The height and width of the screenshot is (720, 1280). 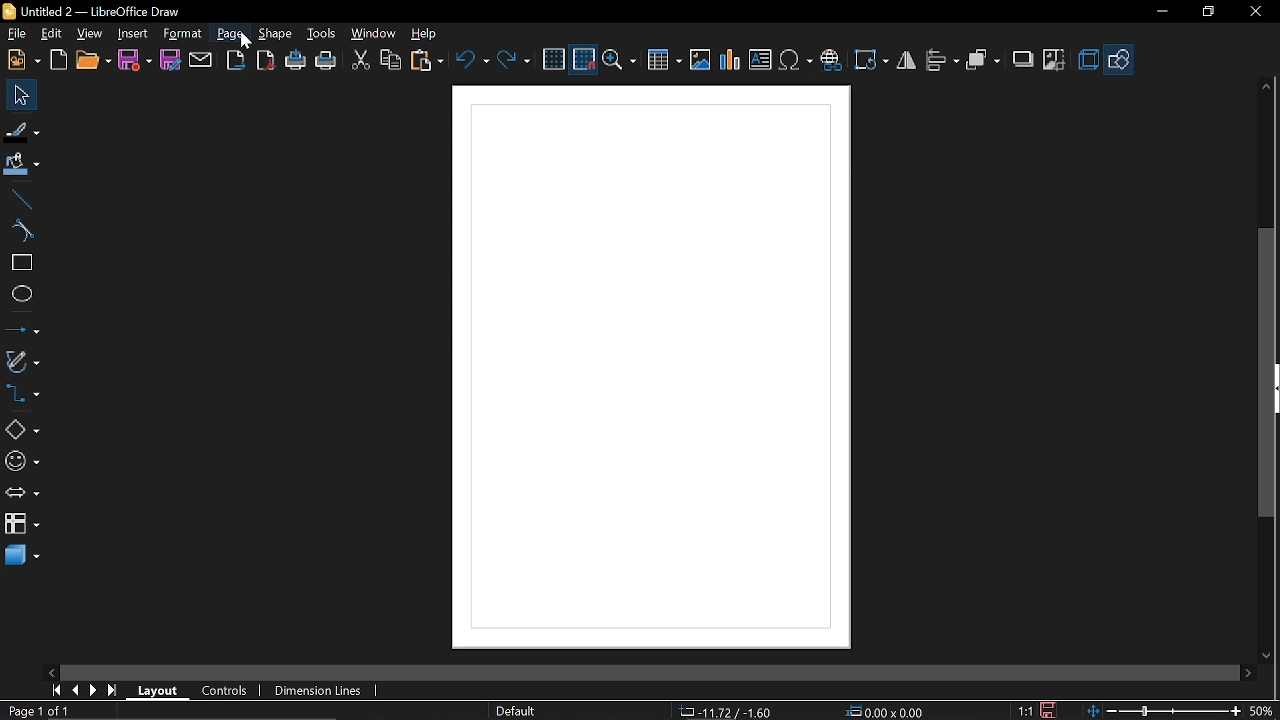 What do you see at coordinates (426, 60) in the screenshot?
I see `Paste` at bounding box center [426, 60].